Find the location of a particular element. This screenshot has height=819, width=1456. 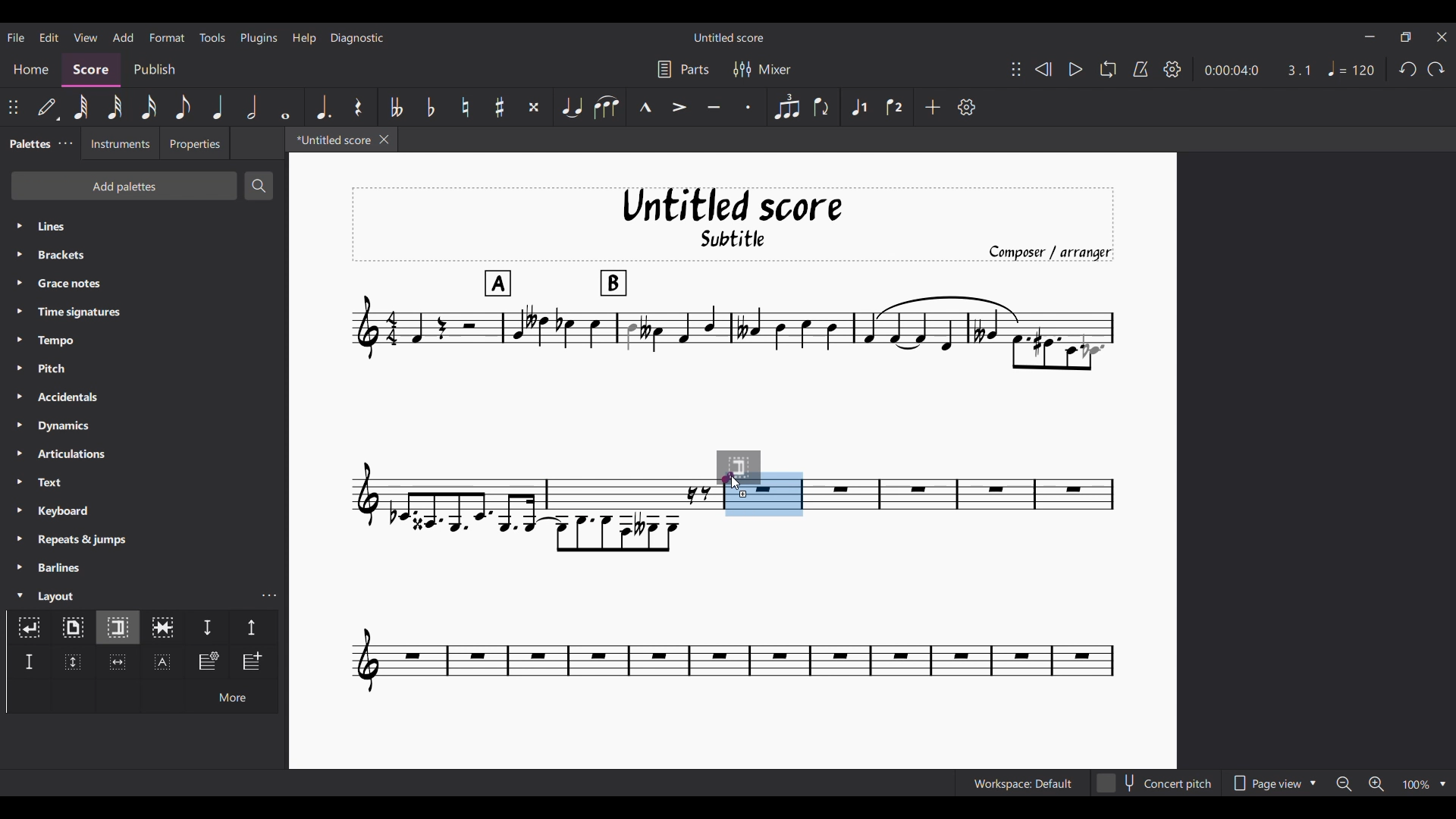

Selected measure highlighted is located at coordinates (744, 507).